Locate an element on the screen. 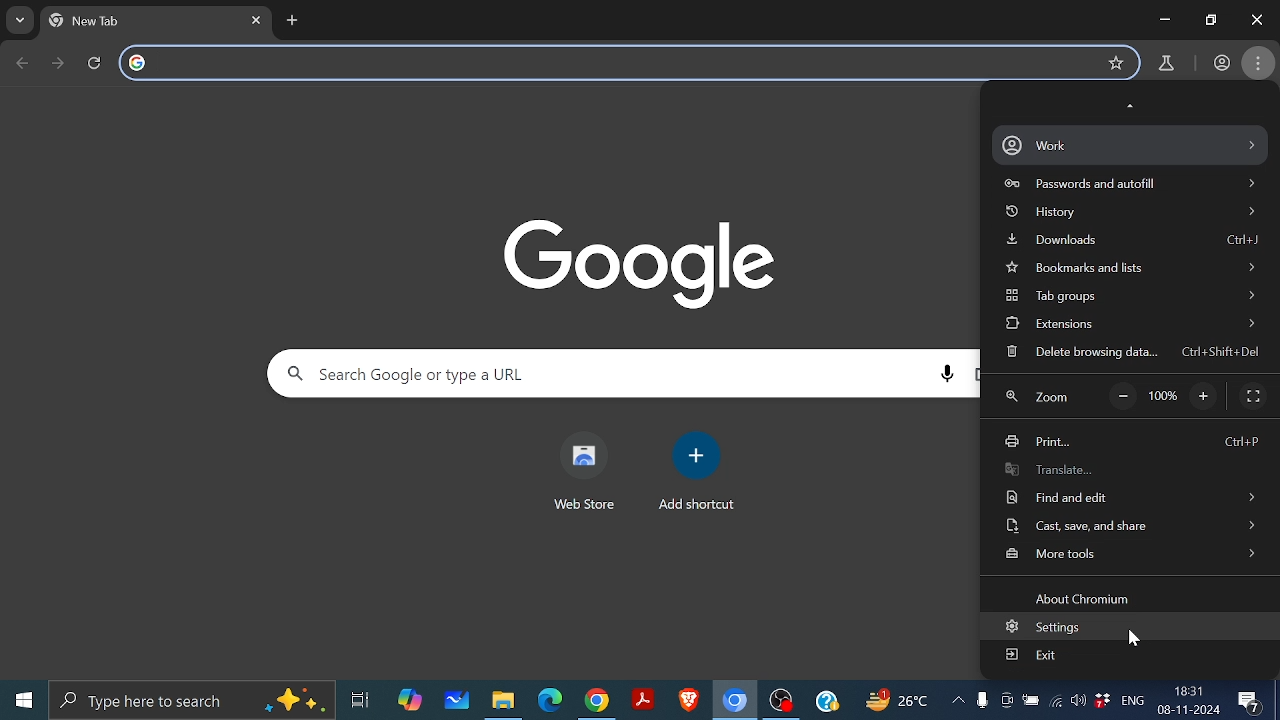 The image size is (1280, 720). connection is located at coordinates (1056, 704).